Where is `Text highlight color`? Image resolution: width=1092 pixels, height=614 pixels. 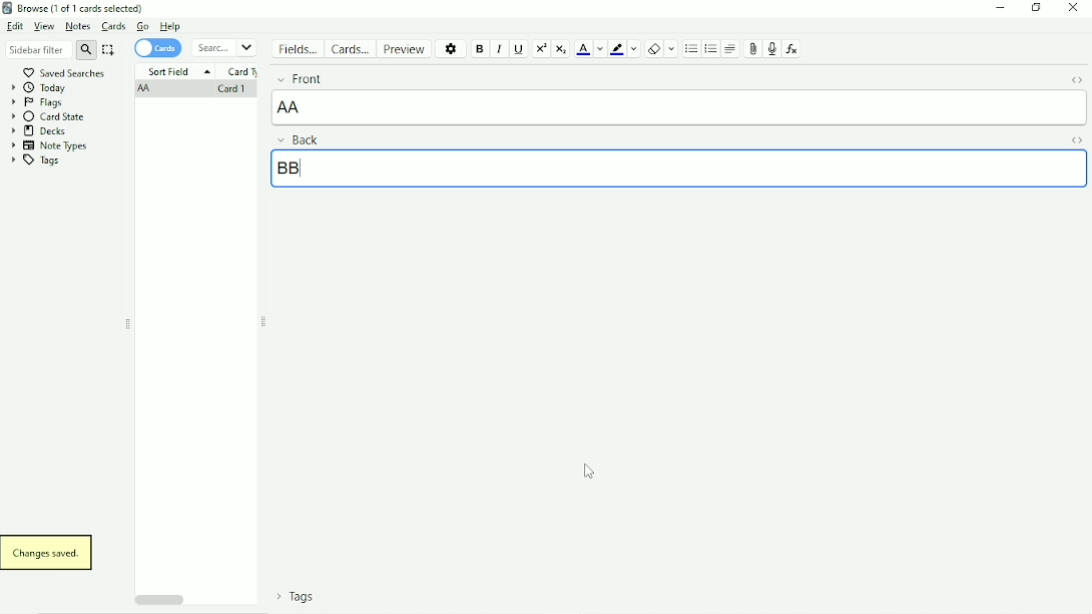
Text highlight color is located at coordinates (617, 49).